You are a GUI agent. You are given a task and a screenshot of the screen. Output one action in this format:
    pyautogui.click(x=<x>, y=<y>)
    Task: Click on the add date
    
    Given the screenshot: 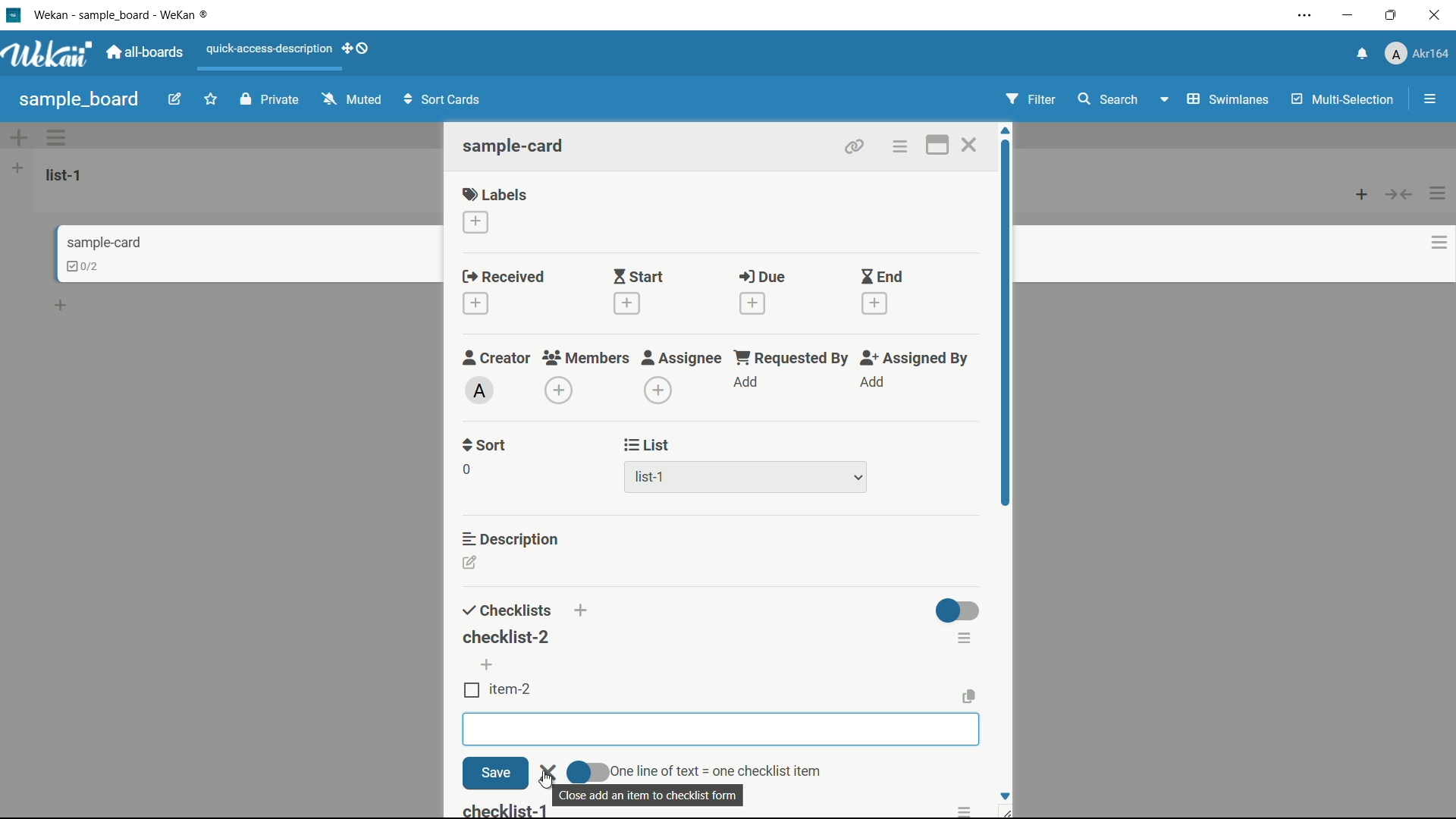 What is the action you would take?
    pyautogui.click(x=752, y=303)
    